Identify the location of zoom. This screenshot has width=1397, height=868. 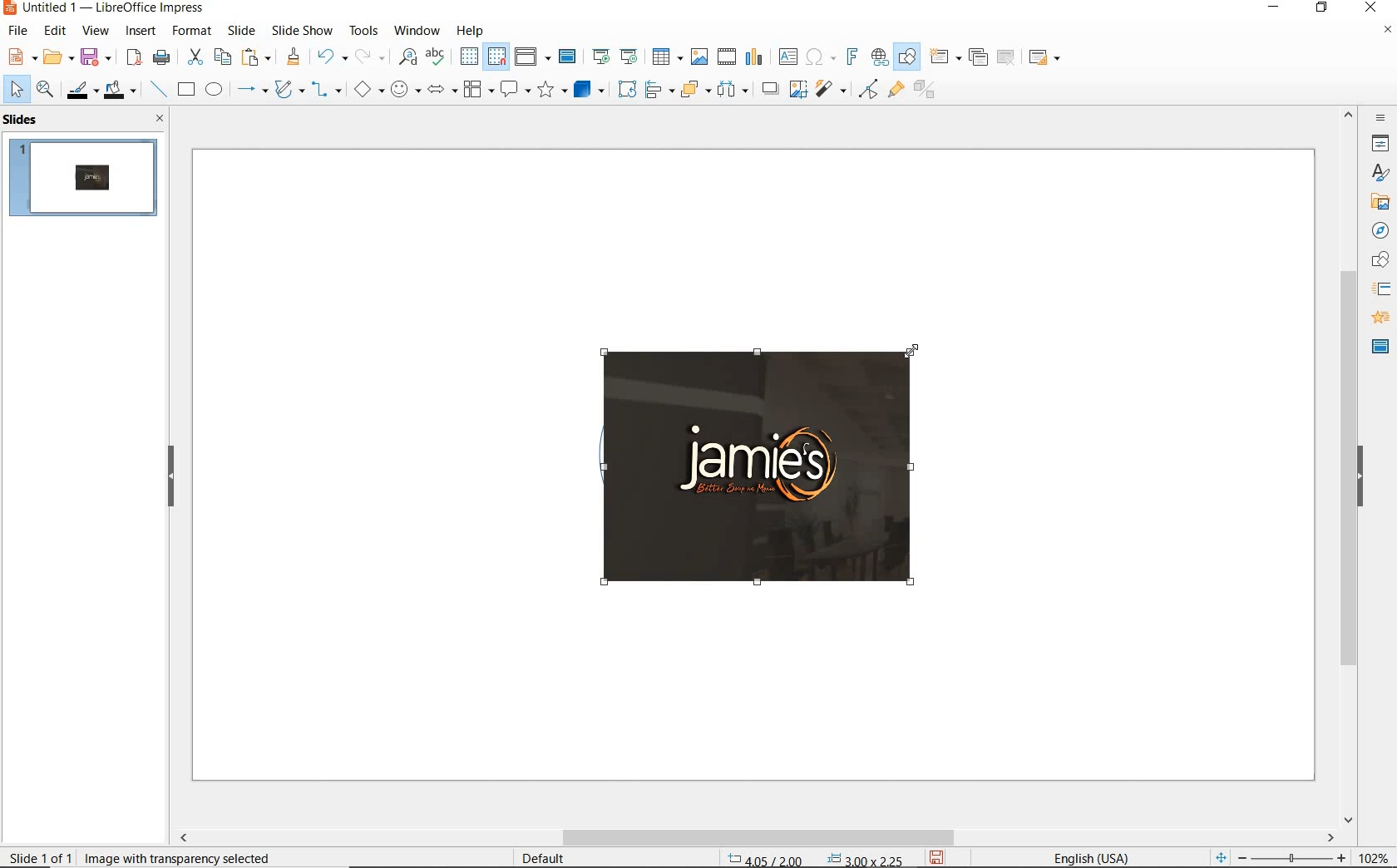
(1296, 858).